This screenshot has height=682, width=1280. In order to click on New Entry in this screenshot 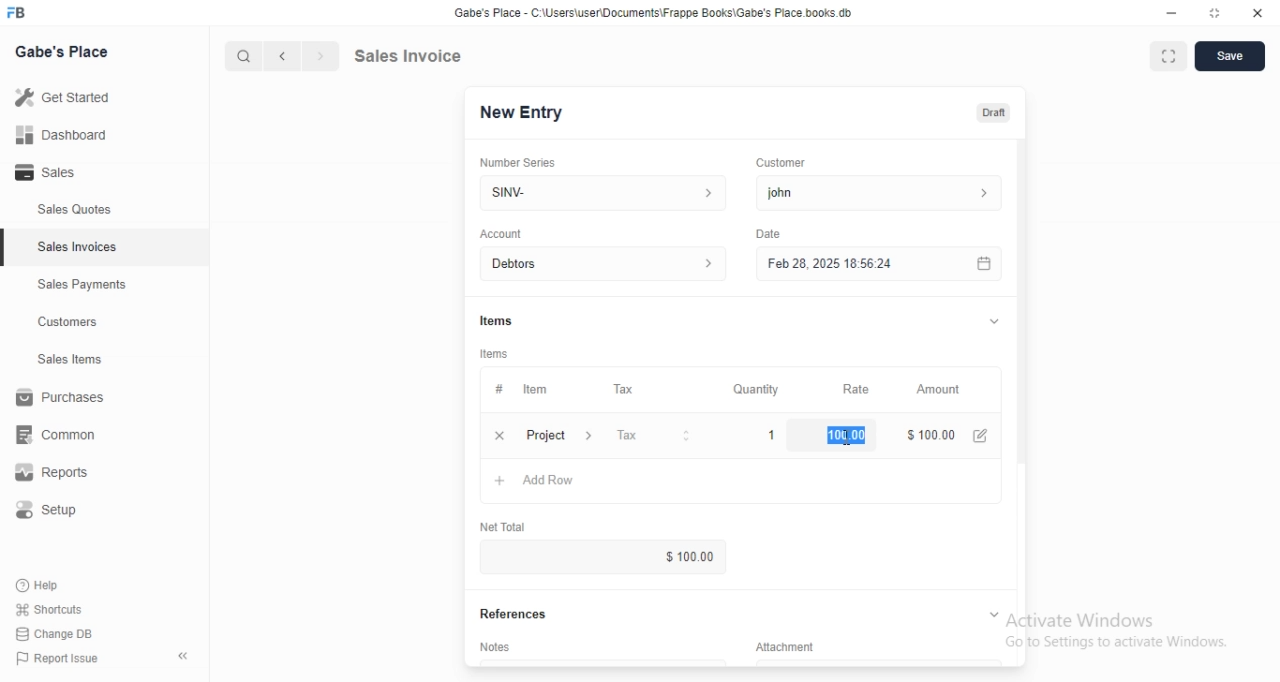, I will do `click(528, 112)`.